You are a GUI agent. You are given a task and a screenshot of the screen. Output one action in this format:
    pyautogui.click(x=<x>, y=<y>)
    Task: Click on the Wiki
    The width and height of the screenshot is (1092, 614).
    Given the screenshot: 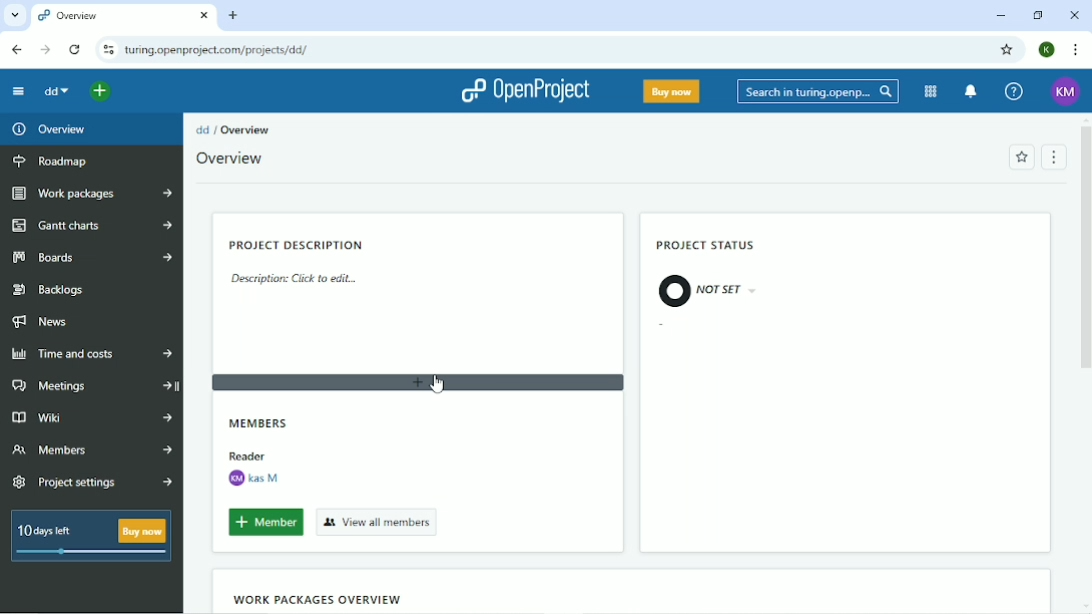 What is the action you would take?
    pyautogui.click(x=92, y=419)
    